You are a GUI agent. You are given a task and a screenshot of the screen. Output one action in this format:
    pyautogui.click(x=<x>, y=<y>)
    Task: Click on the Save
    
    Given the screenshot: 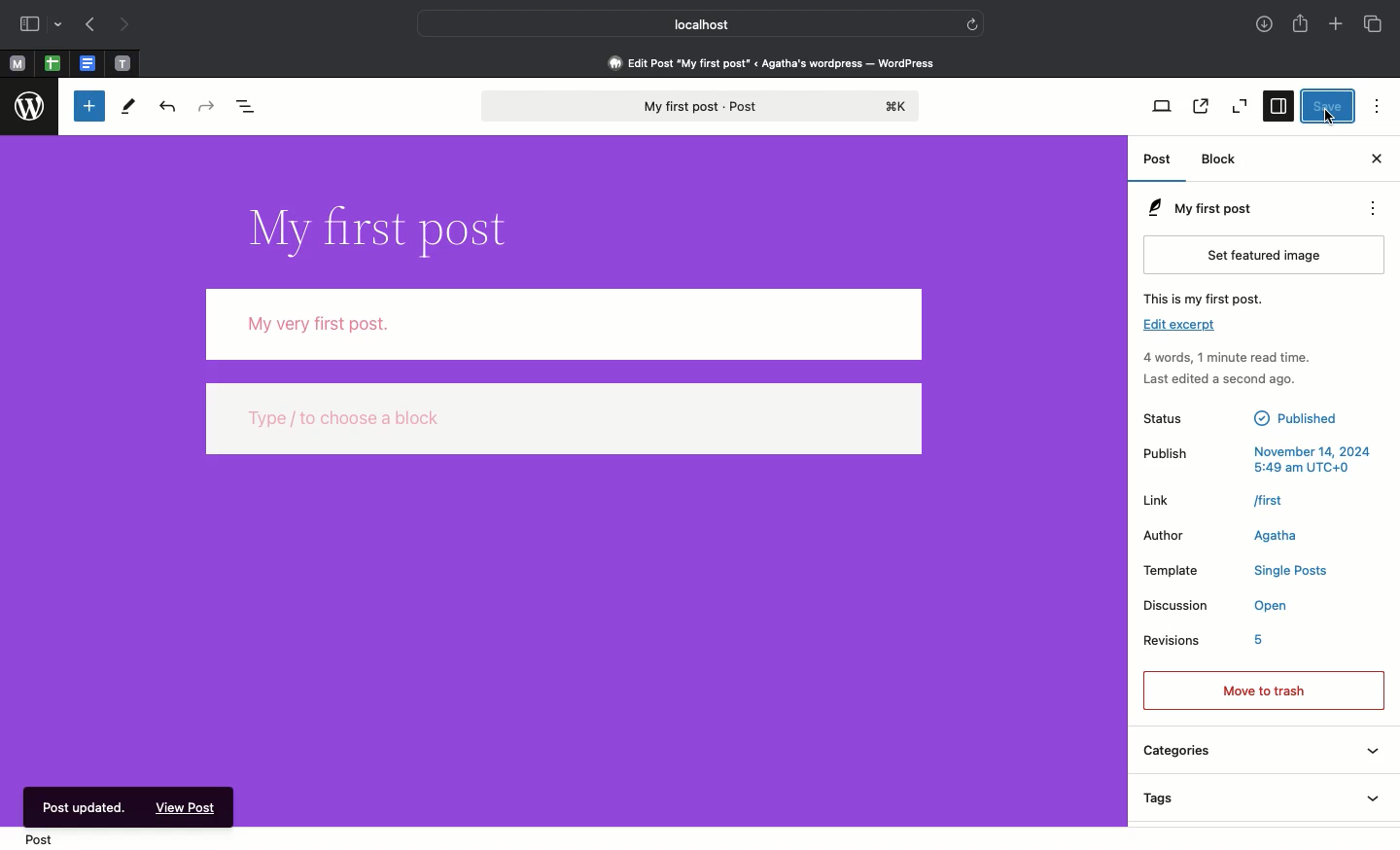 What is the action you would take?
    pyautogui.click(x=1329, y=106)
    